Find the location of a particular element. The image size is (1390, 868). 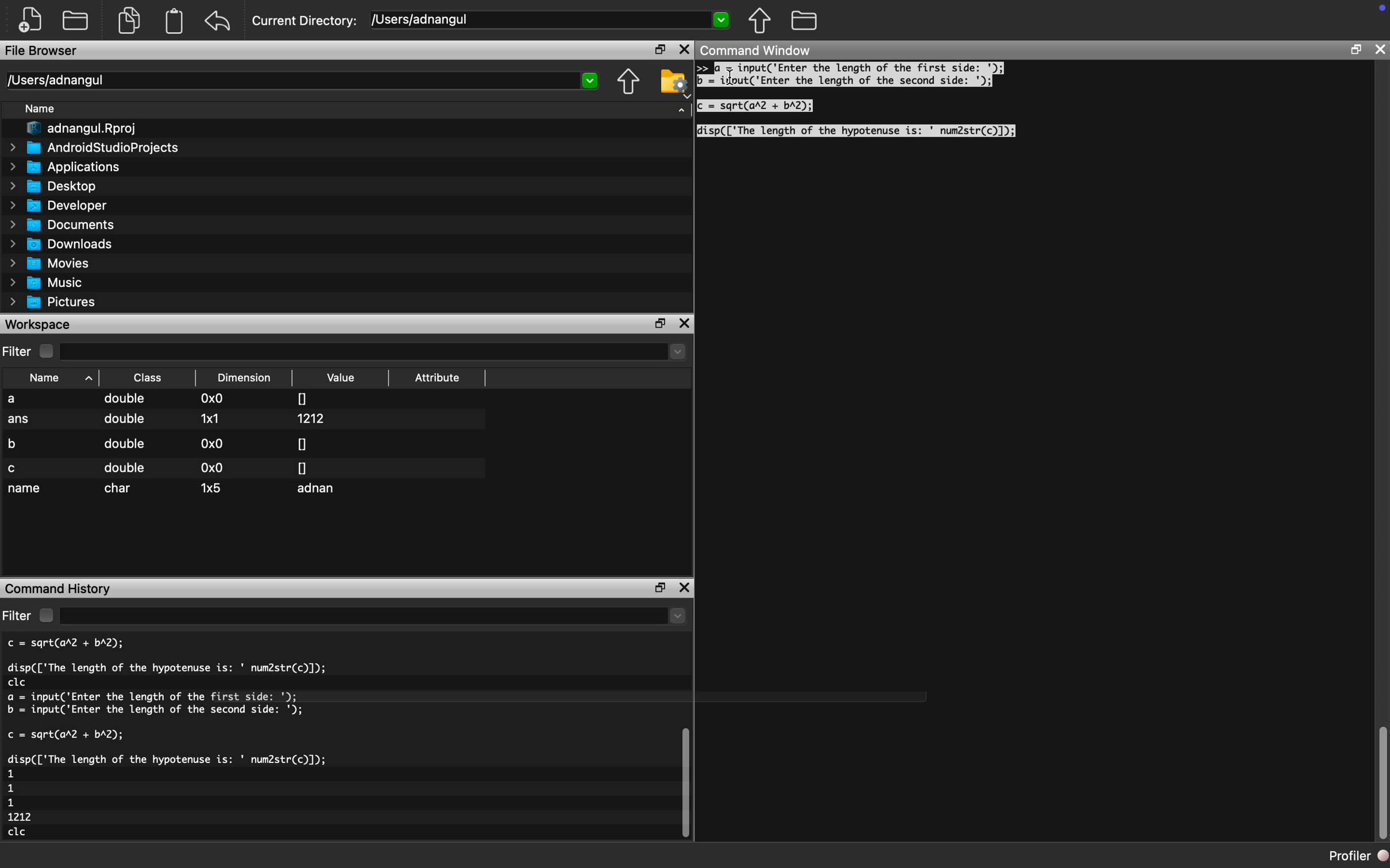

char is located at coordinates (121, 489).